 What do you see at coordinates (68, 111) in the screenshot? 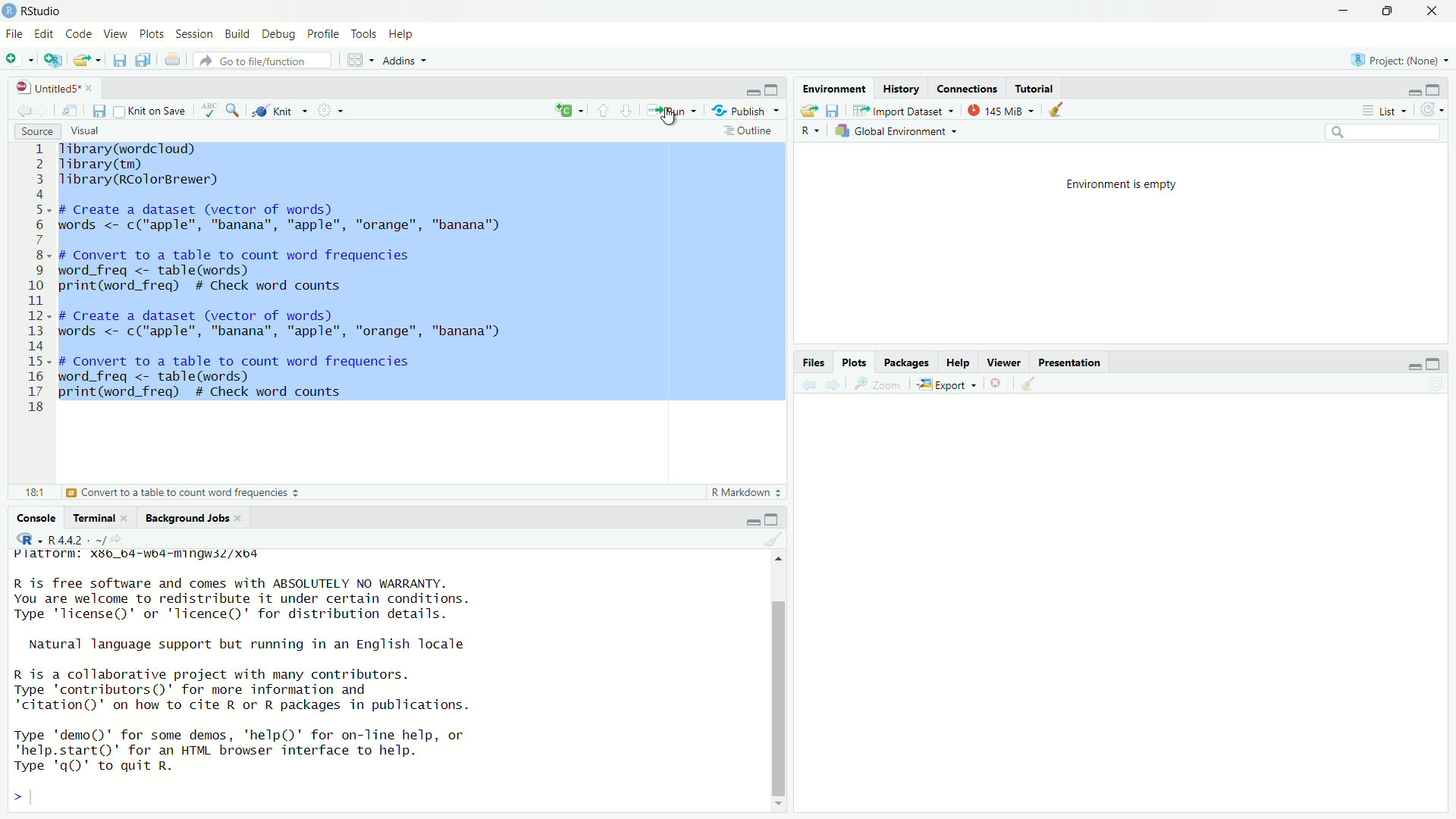
I see `Show in the new window` at bounding box center [68, 111].